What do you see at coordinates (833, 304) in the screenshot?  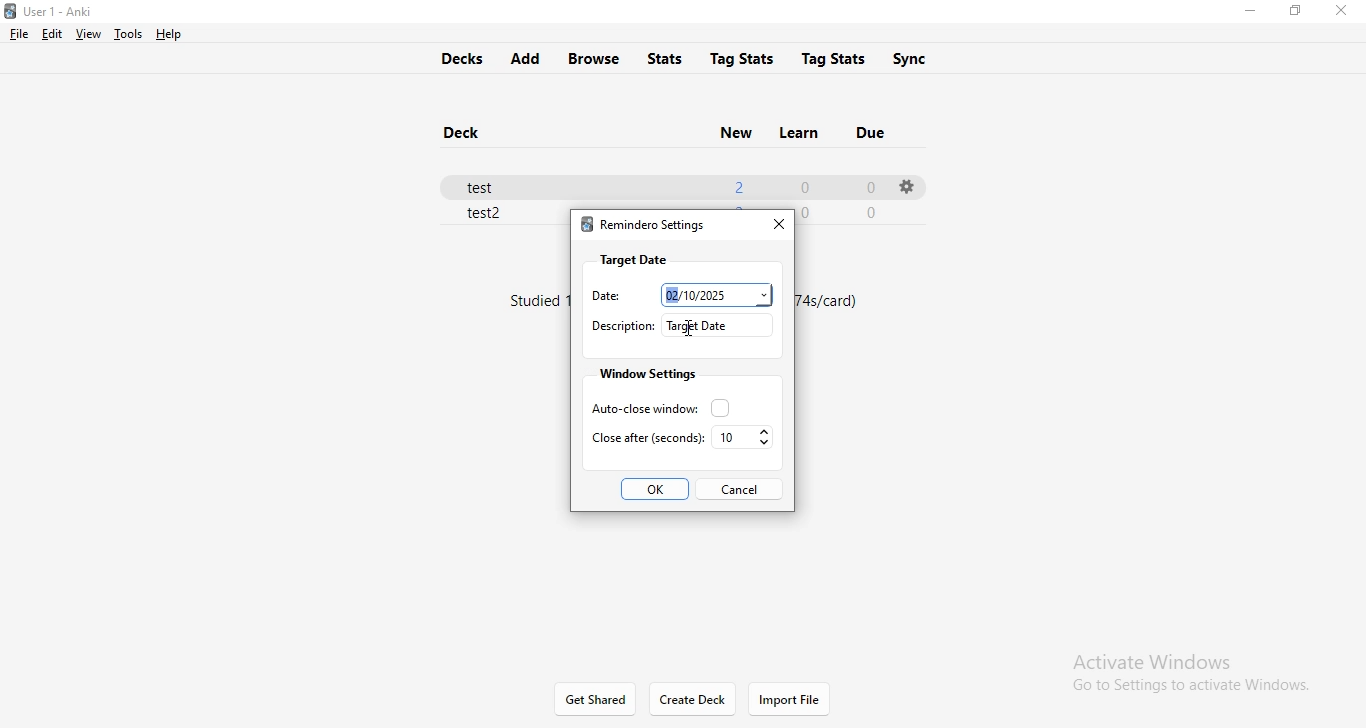 I see `text` at bounding box center [833, 304].